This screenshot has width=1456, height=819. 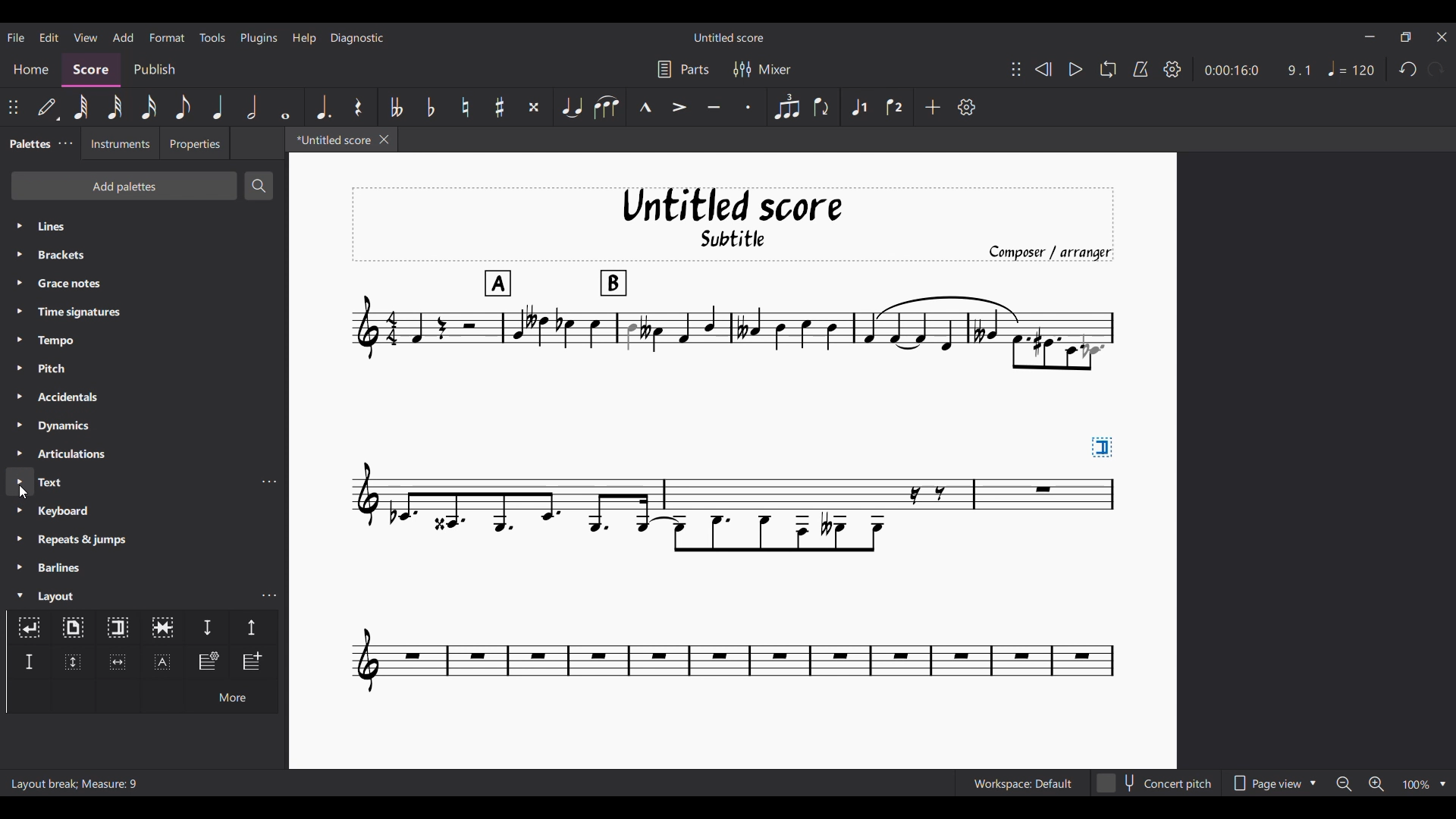 I want to click on Keep measures on the same system, so click(x=162, y=627).